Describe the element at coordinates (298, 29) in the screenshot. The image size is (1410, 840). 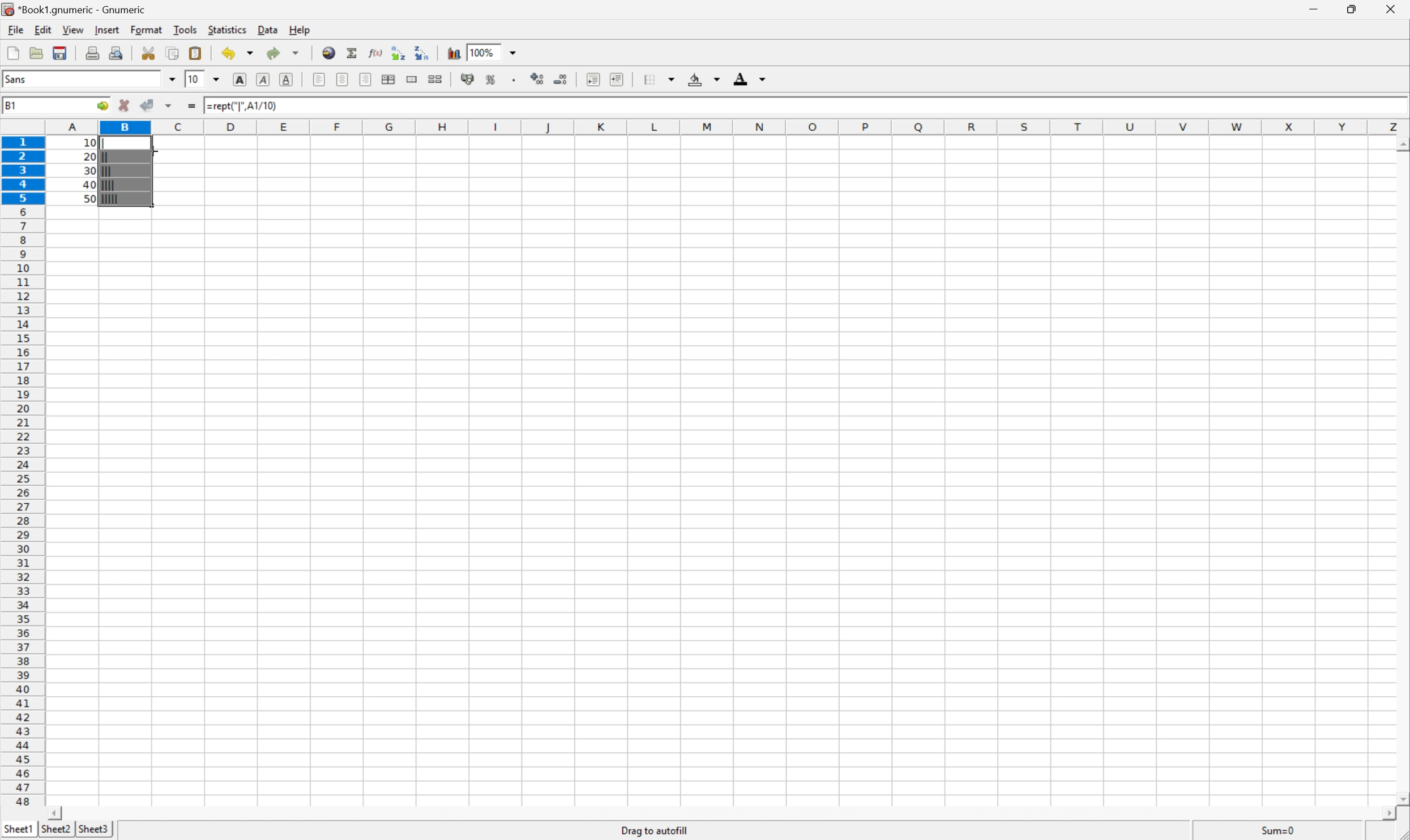
I see `Help` at that location.